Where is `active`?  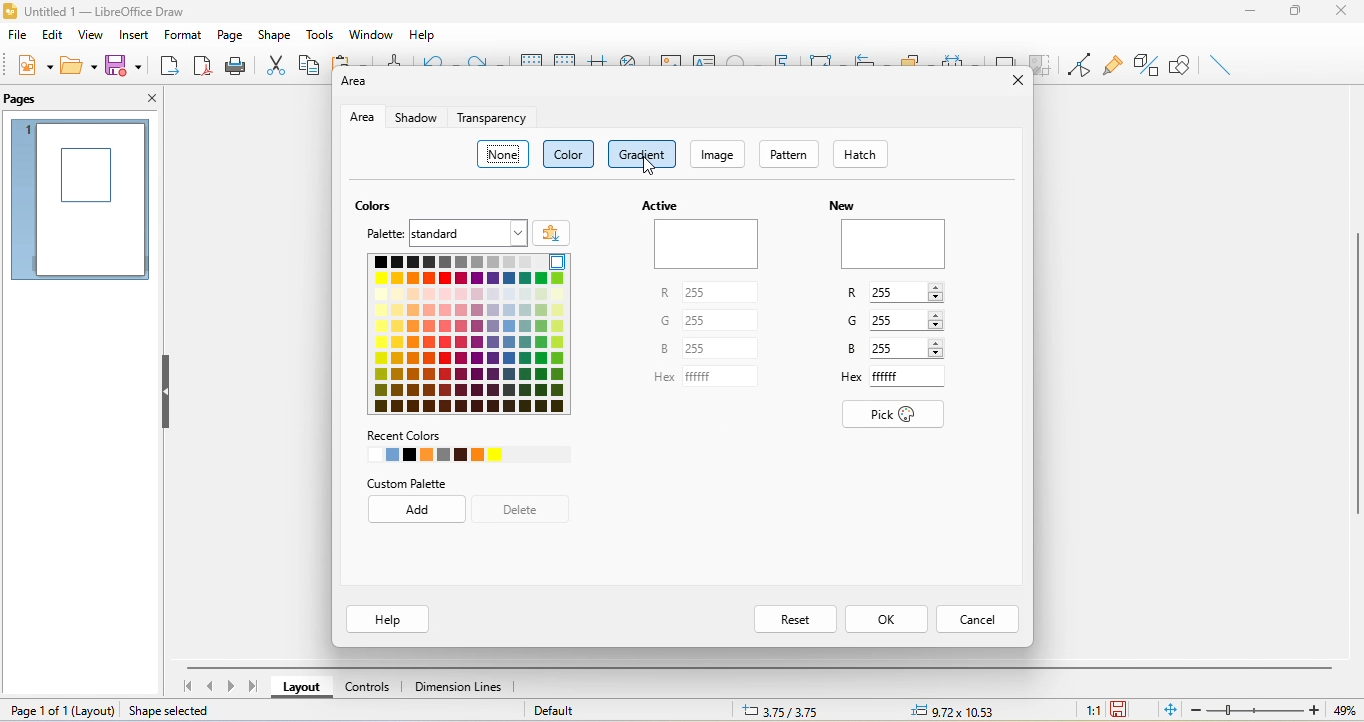
active is located at coordinates (705, 236).